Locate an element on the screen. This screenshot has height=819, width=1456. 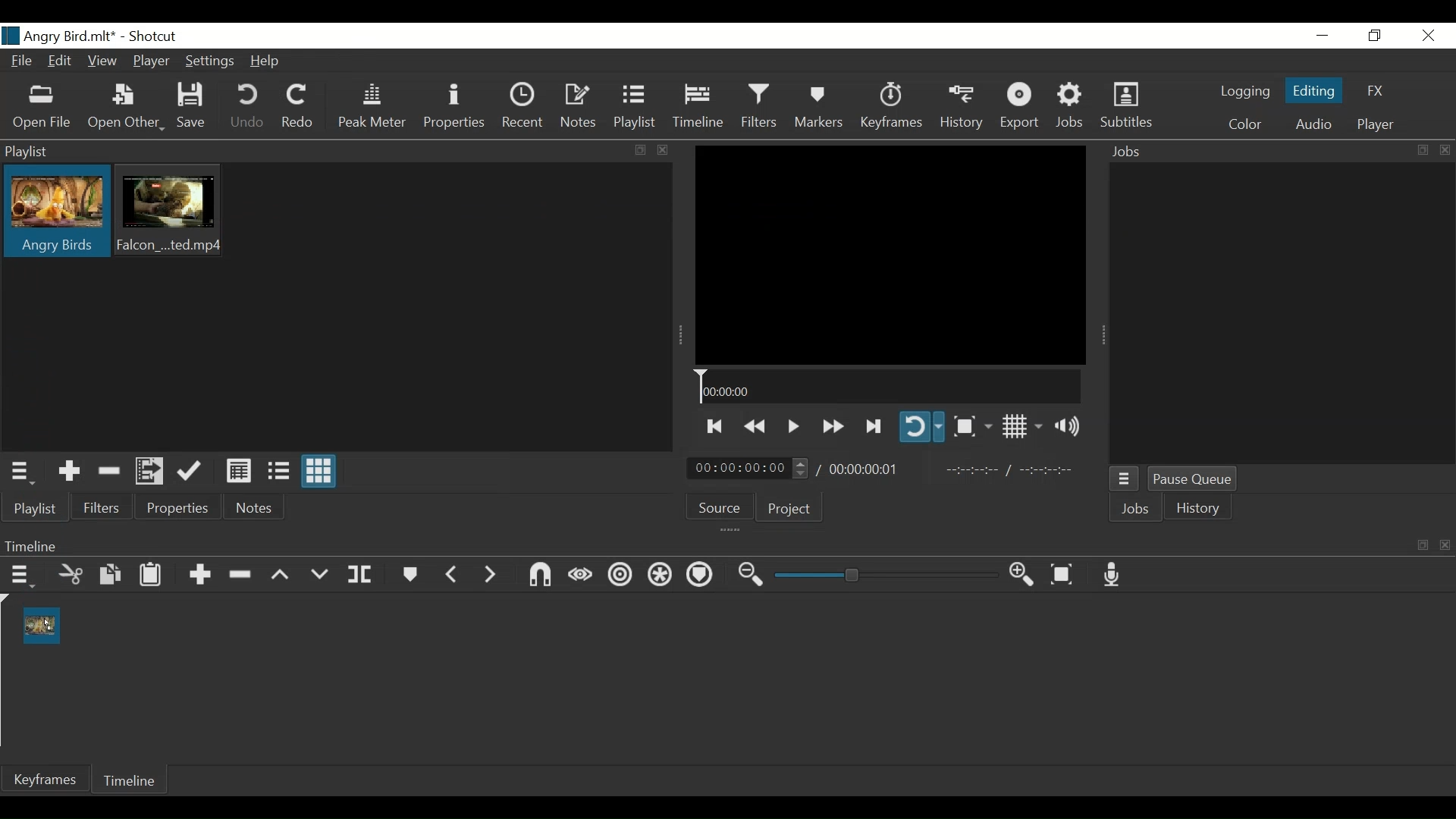
Timeline is located at coordinates (890, 387).